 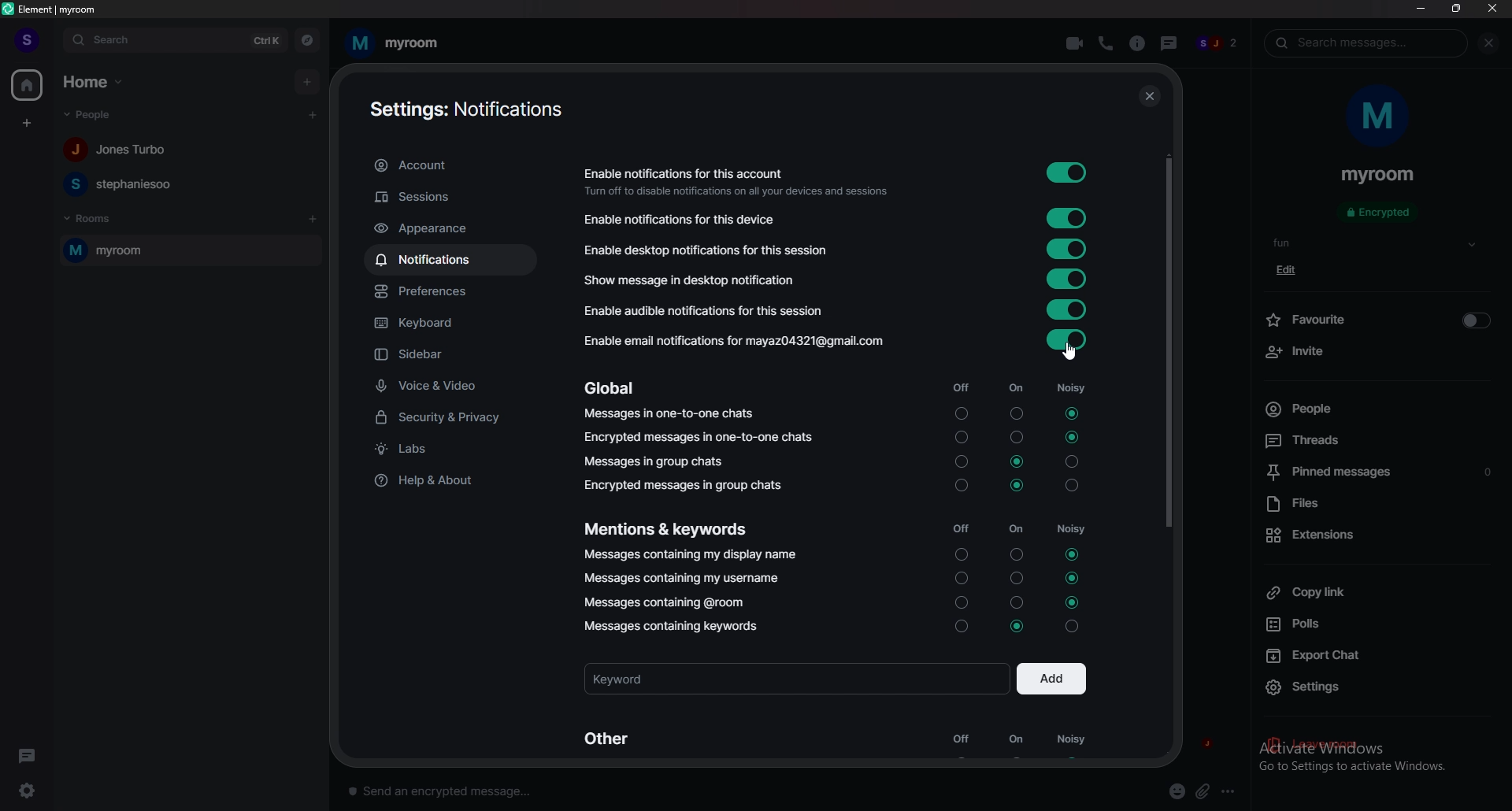 What do you see at coordinates (1291, 270) in the screenshot?
I see `edit` at bounding box center [1291, 270].